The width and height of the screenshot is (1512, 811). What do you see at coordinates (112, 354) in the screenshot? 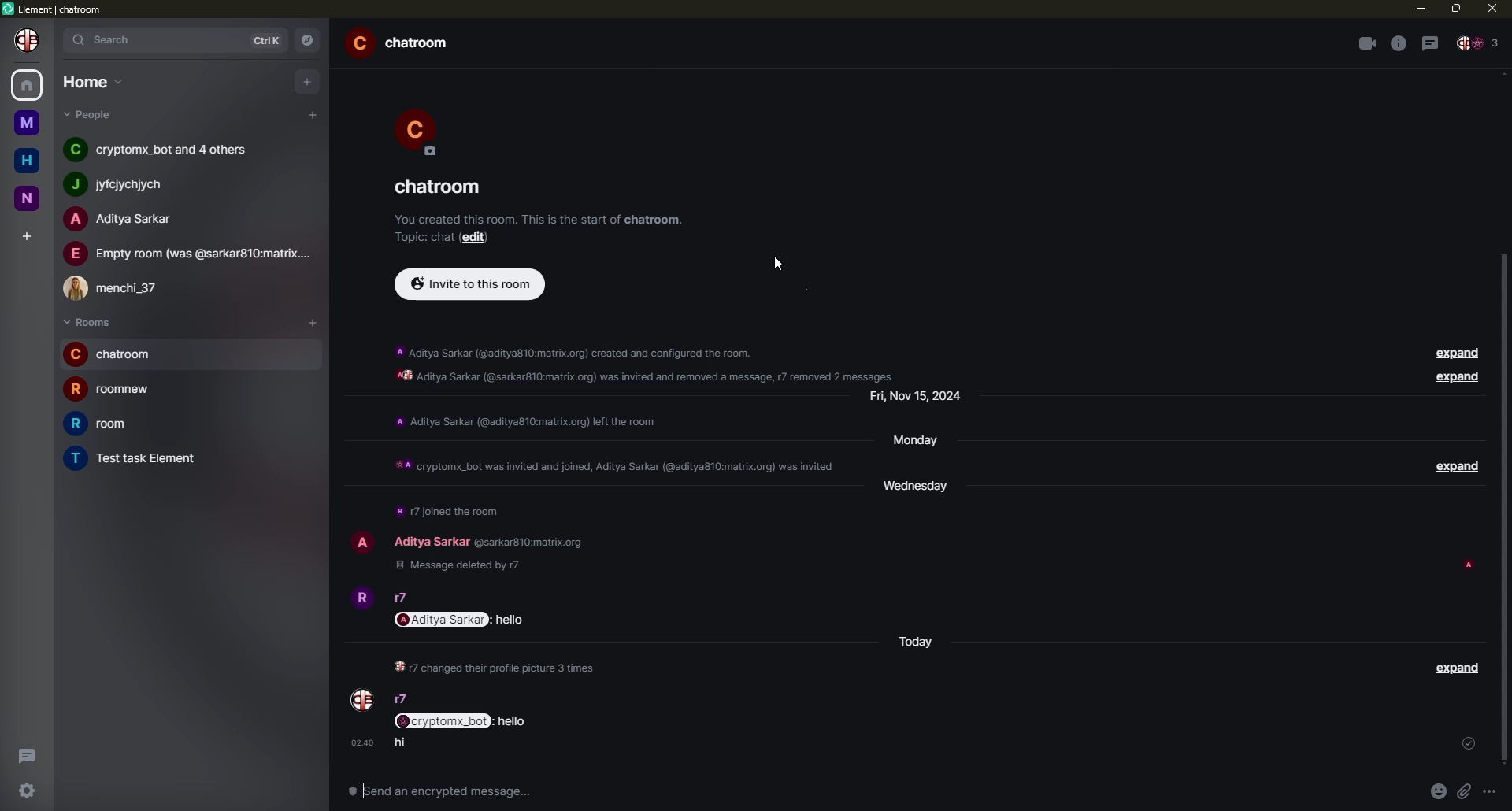
I see `room` at bounding box center [112, 354].